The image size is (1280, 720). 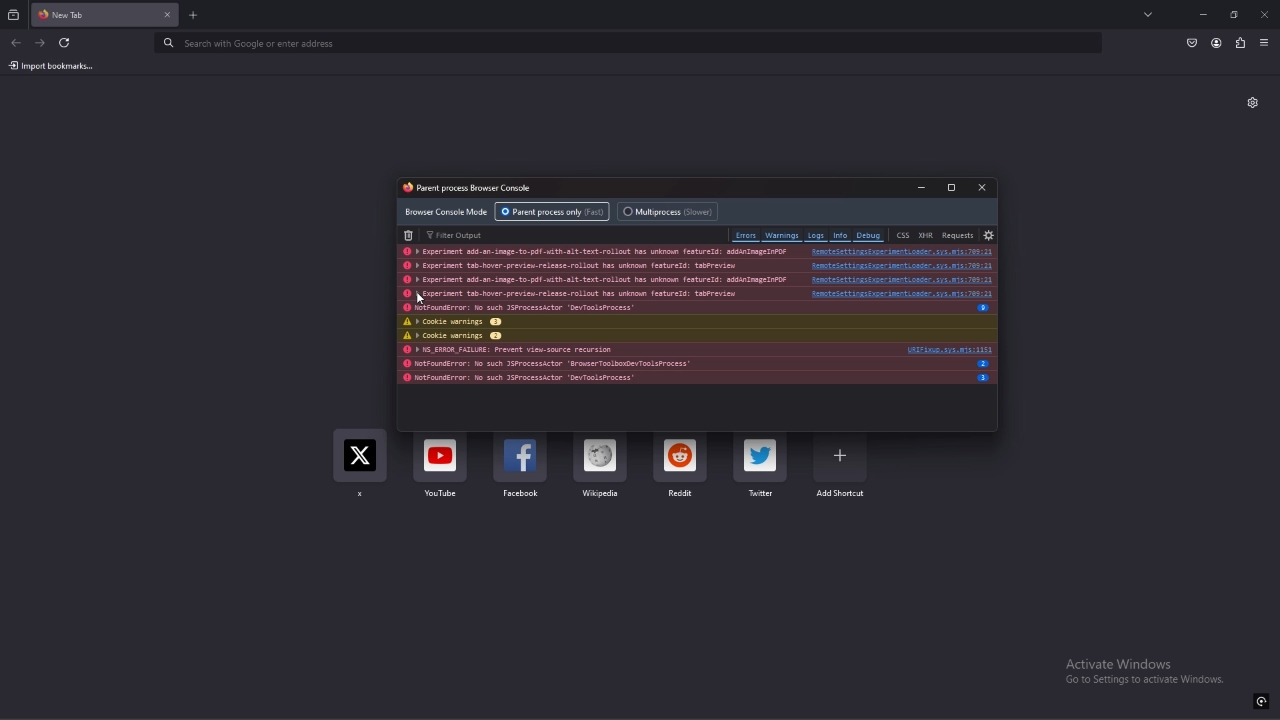 I want to click on refresh, so click(x=66, y=43).